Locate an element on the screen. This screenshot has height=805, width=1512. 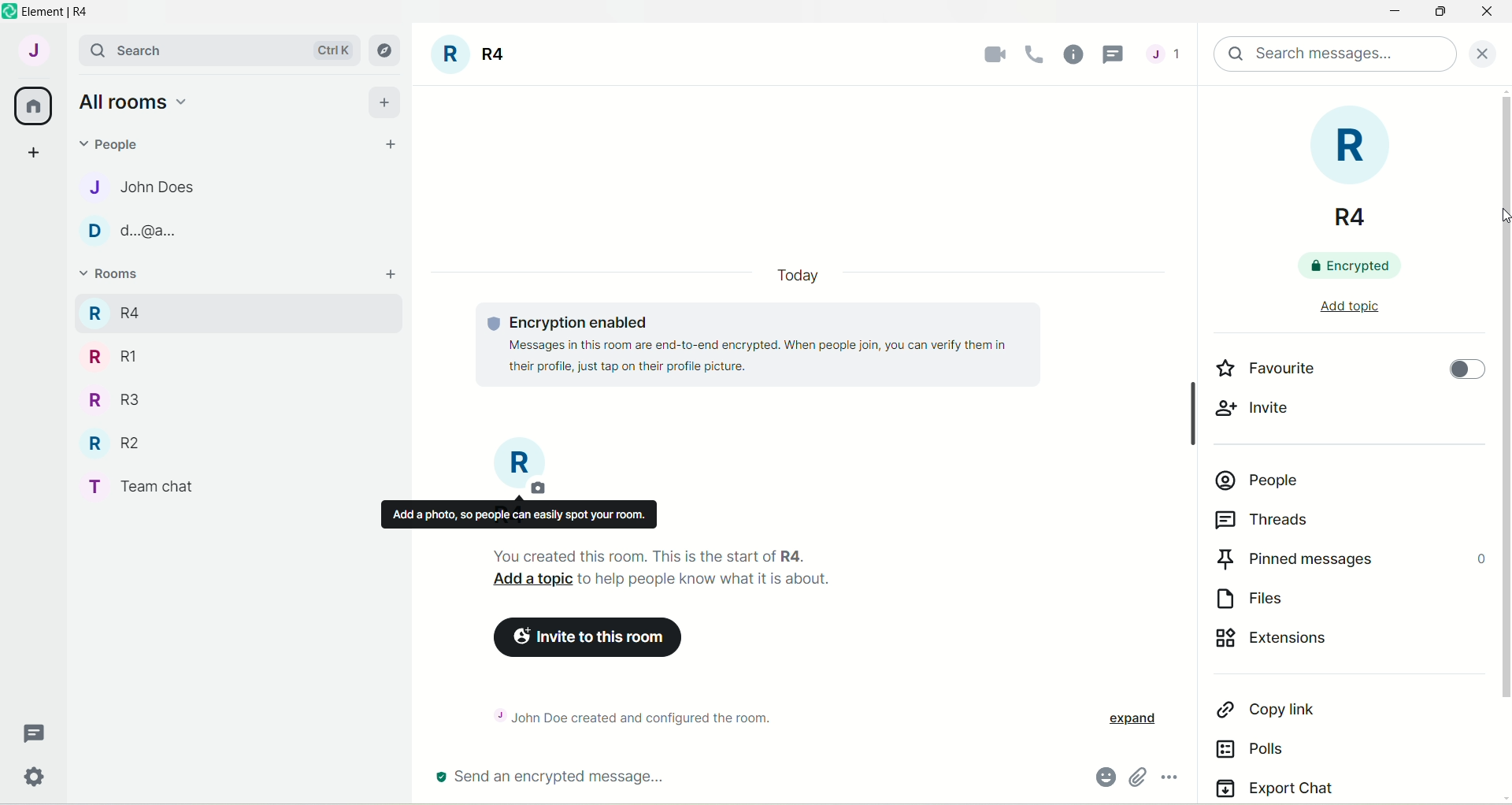
start chat is located at coordinates (391, 146).